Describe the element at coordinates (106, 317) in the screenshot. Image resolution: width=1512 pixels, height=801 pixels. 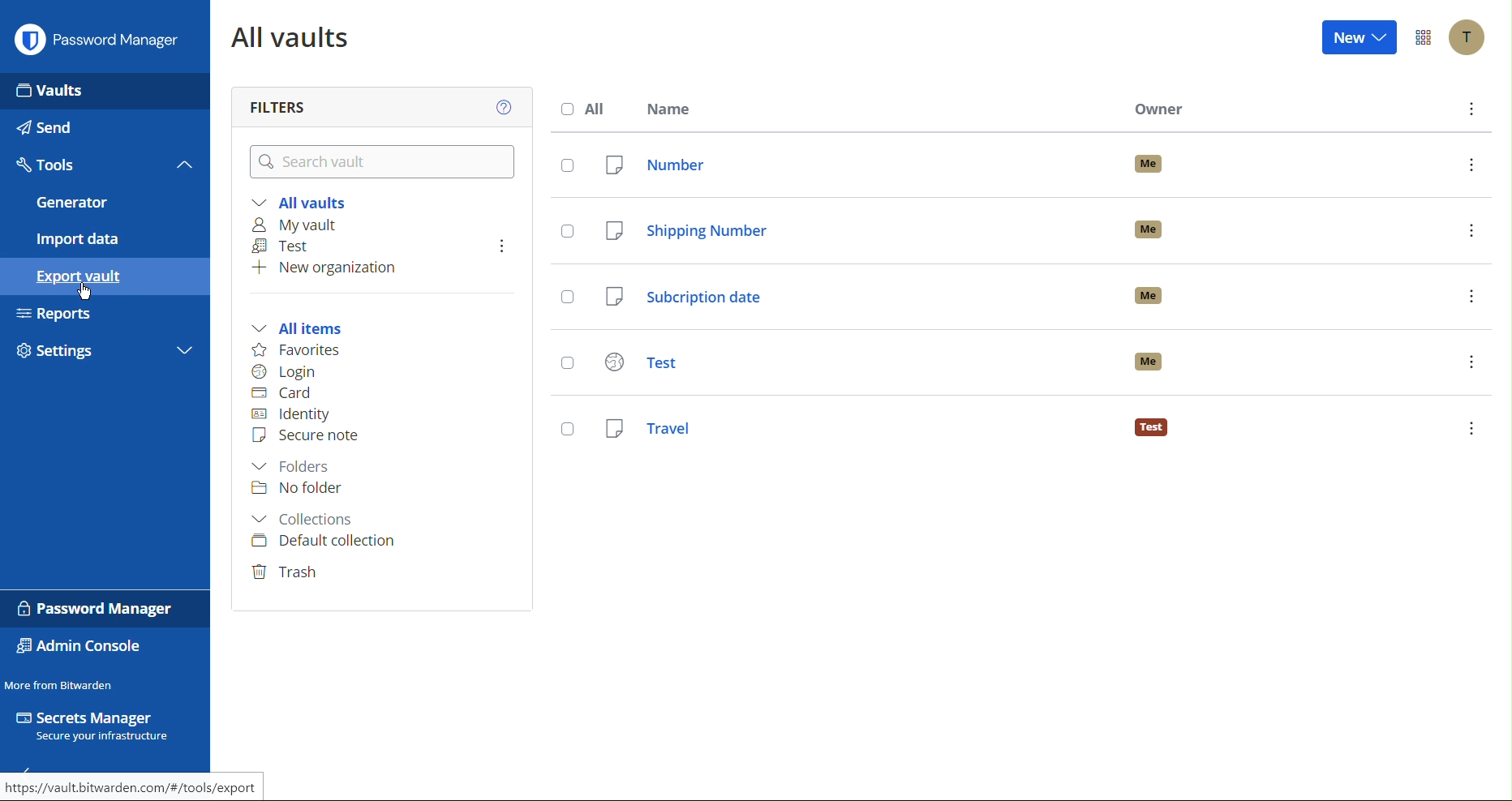
I see `Reports` at that location.